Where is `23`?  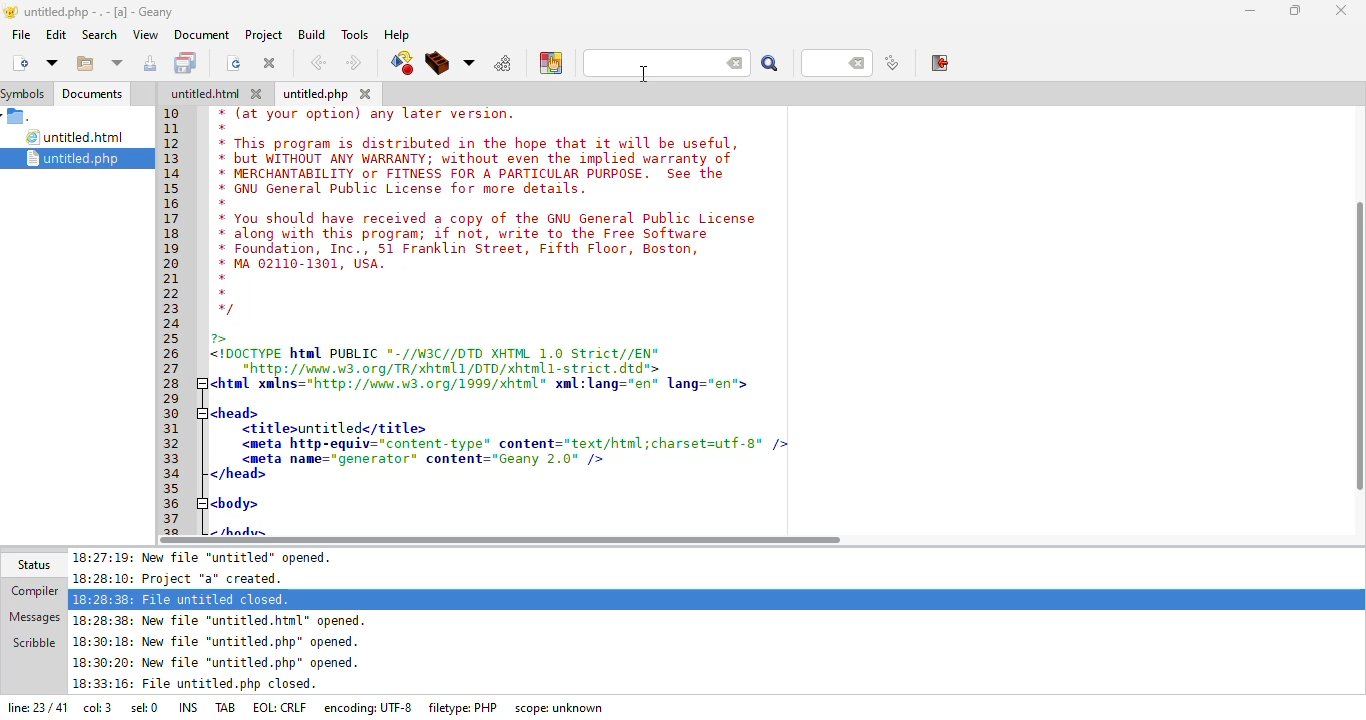 23 is located at coordinates (171, 309).